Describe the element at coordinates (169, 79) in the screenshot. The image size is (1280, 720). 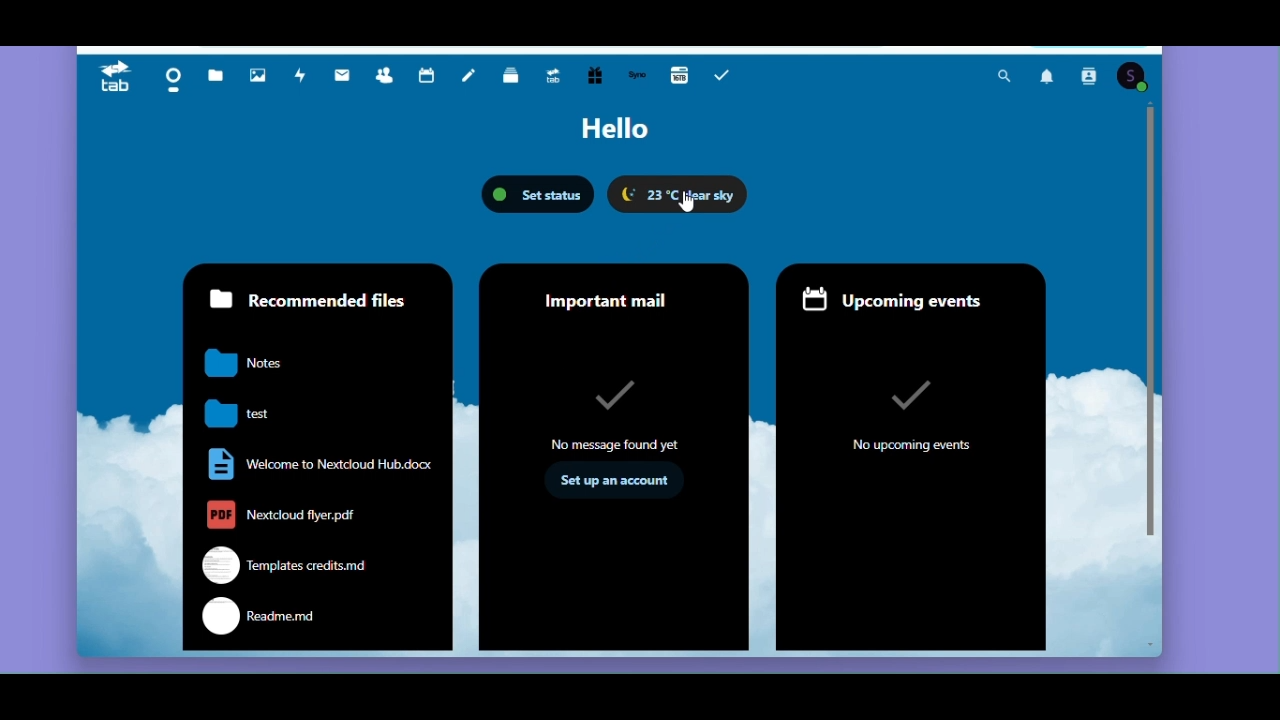
I see `Dashboard` at that location.